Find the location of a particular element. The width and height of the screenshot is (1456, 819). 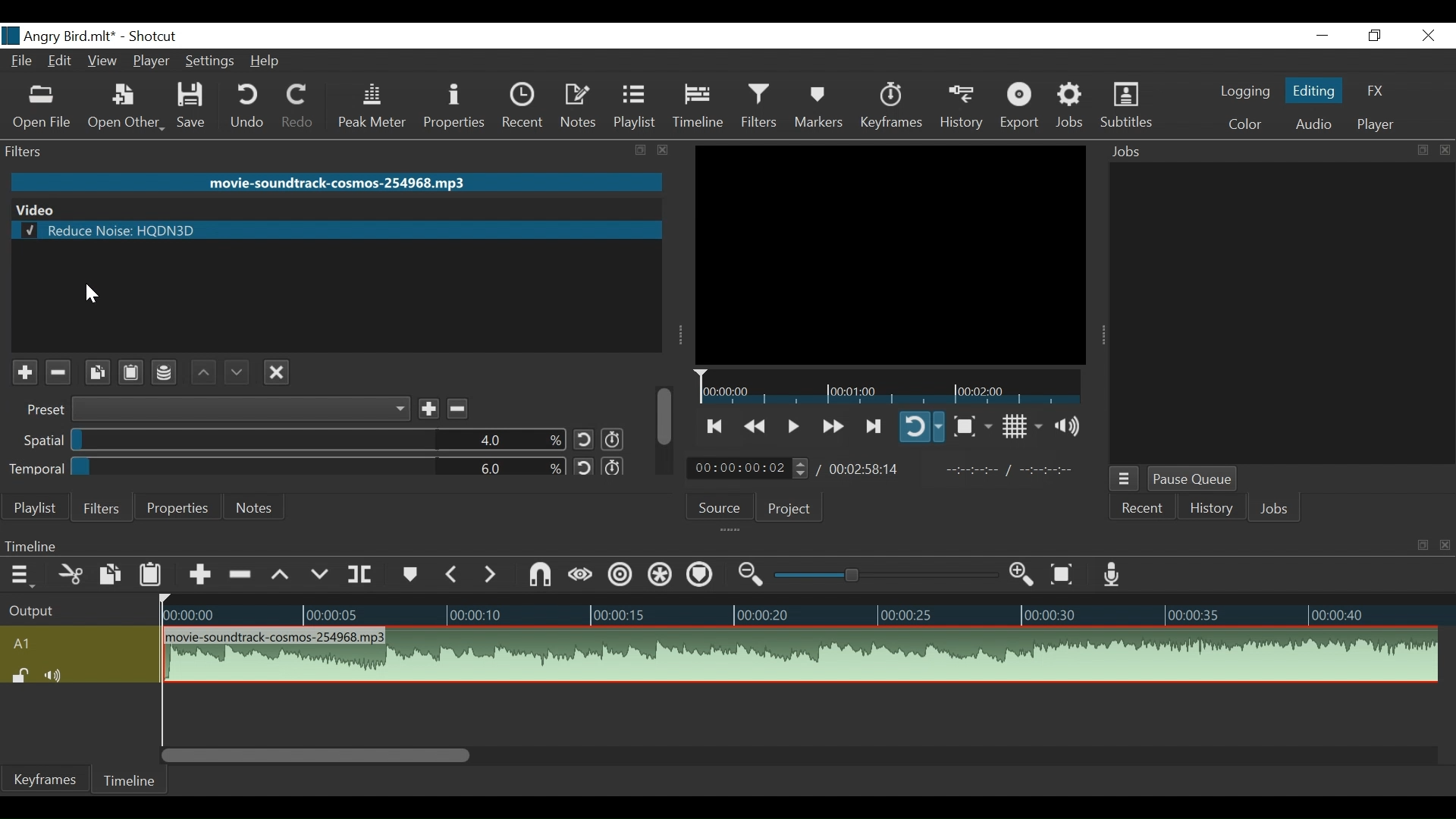

Undo is located at coordinates (247, 107).